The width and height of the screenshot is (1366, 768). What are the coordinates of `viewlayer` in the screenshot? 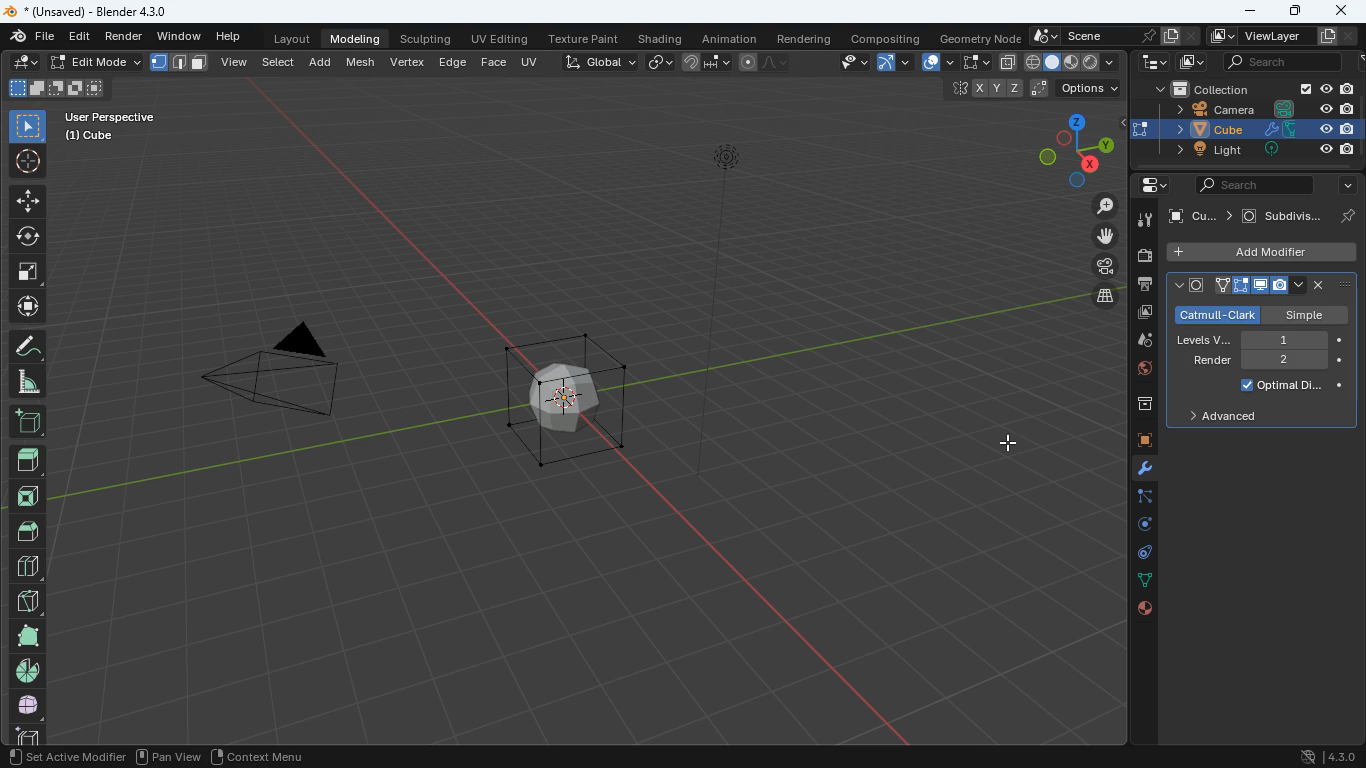 It's located at (1283, 37).